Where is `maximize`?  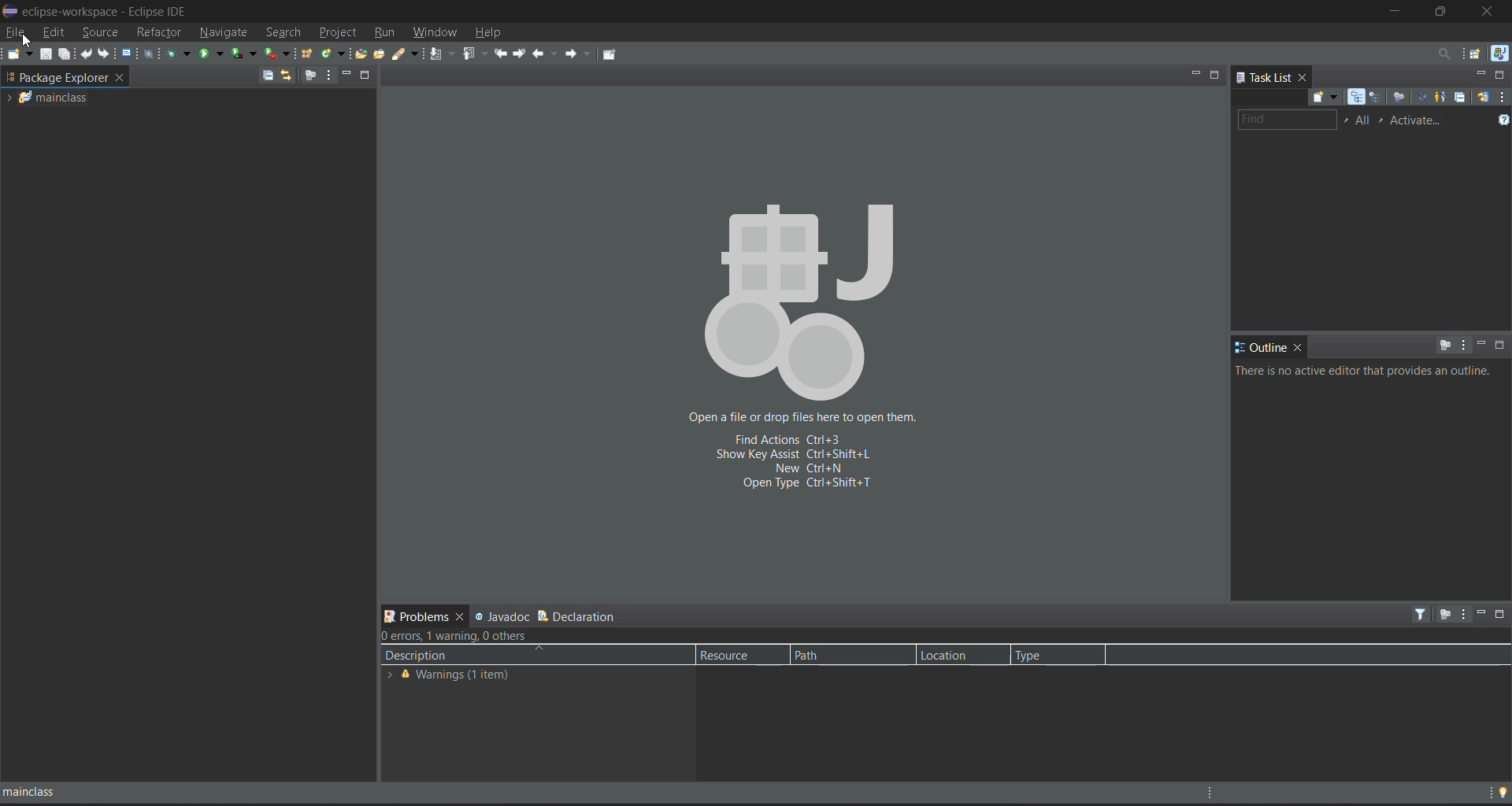 maximize is located at coordinates (1216, 73).